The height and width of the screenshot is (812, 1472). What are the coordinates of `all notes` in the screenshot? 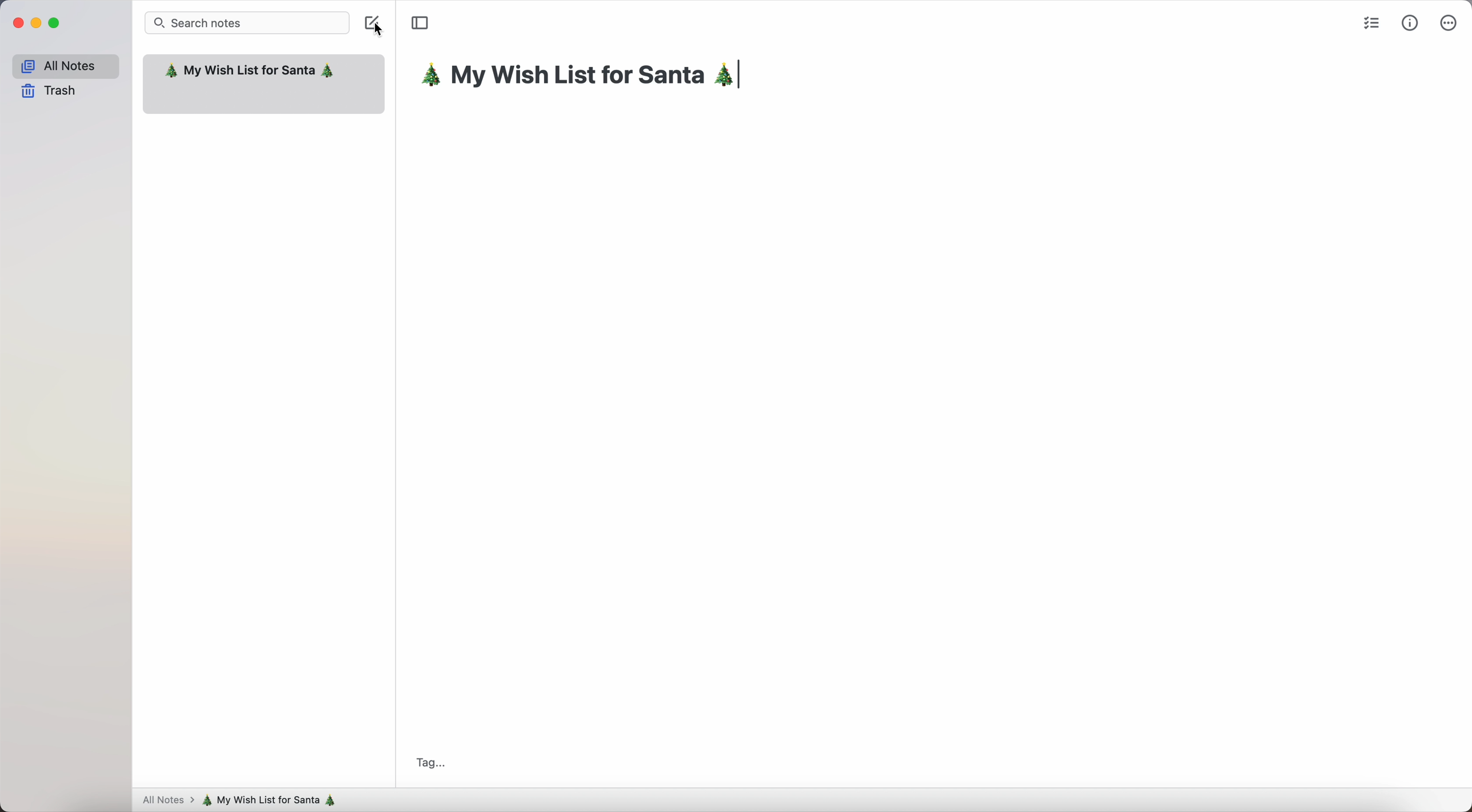 It's located at (65, 64).